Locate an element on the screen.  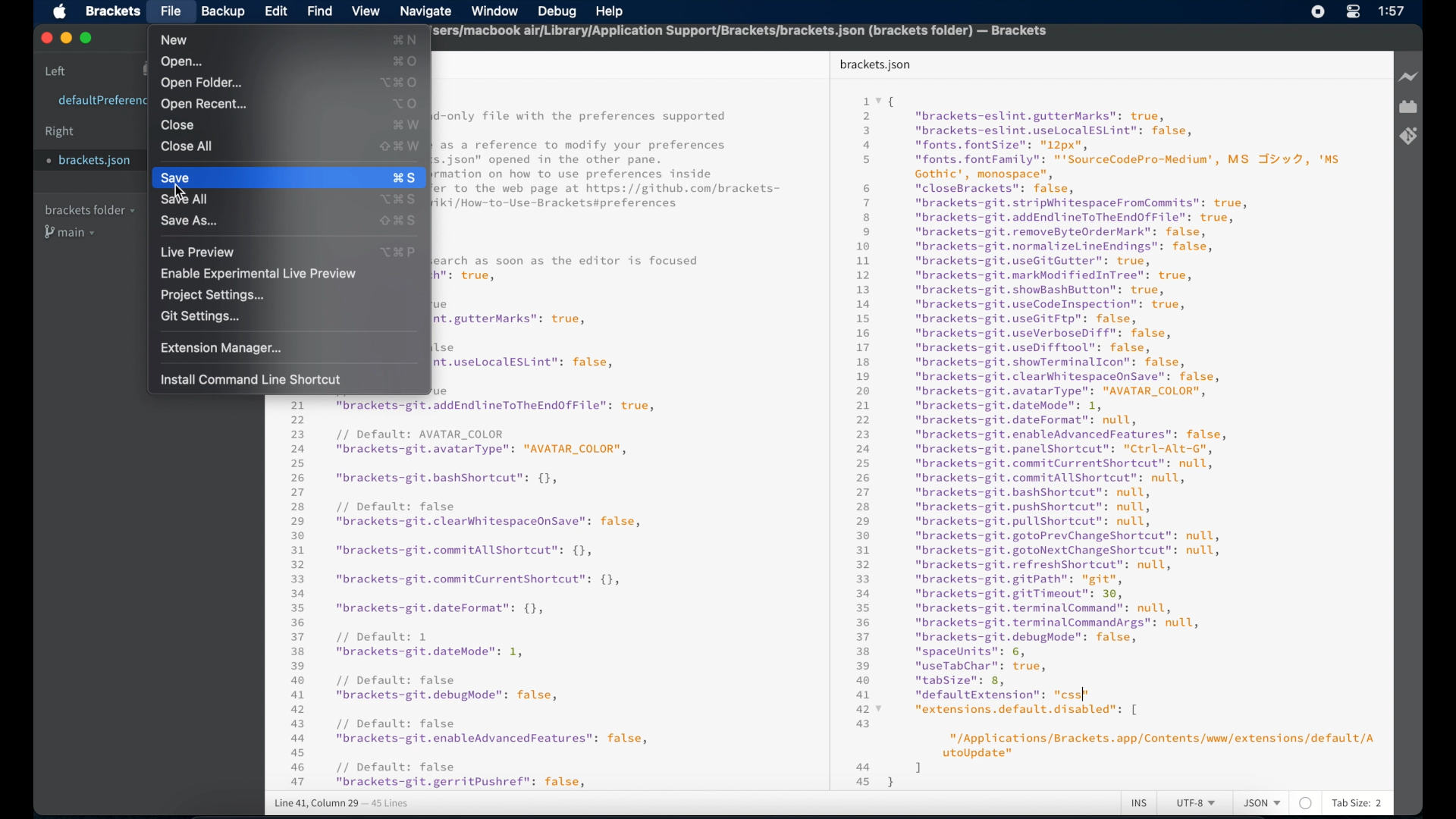
open shortcut is located at coordinates (406, 61).